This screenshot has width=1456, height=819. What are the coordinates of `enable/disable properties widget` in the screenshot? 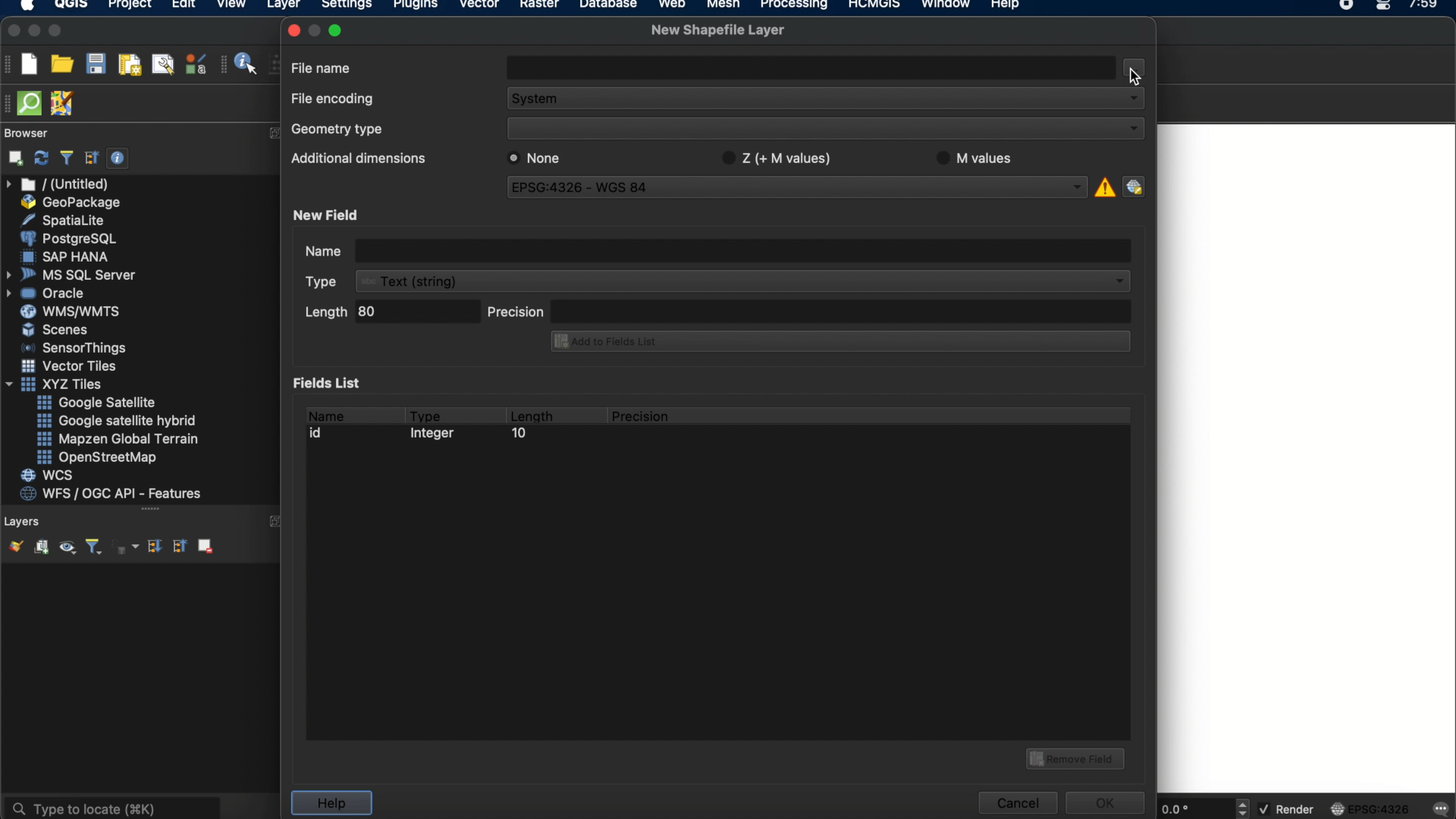 It's located at (118, 158).